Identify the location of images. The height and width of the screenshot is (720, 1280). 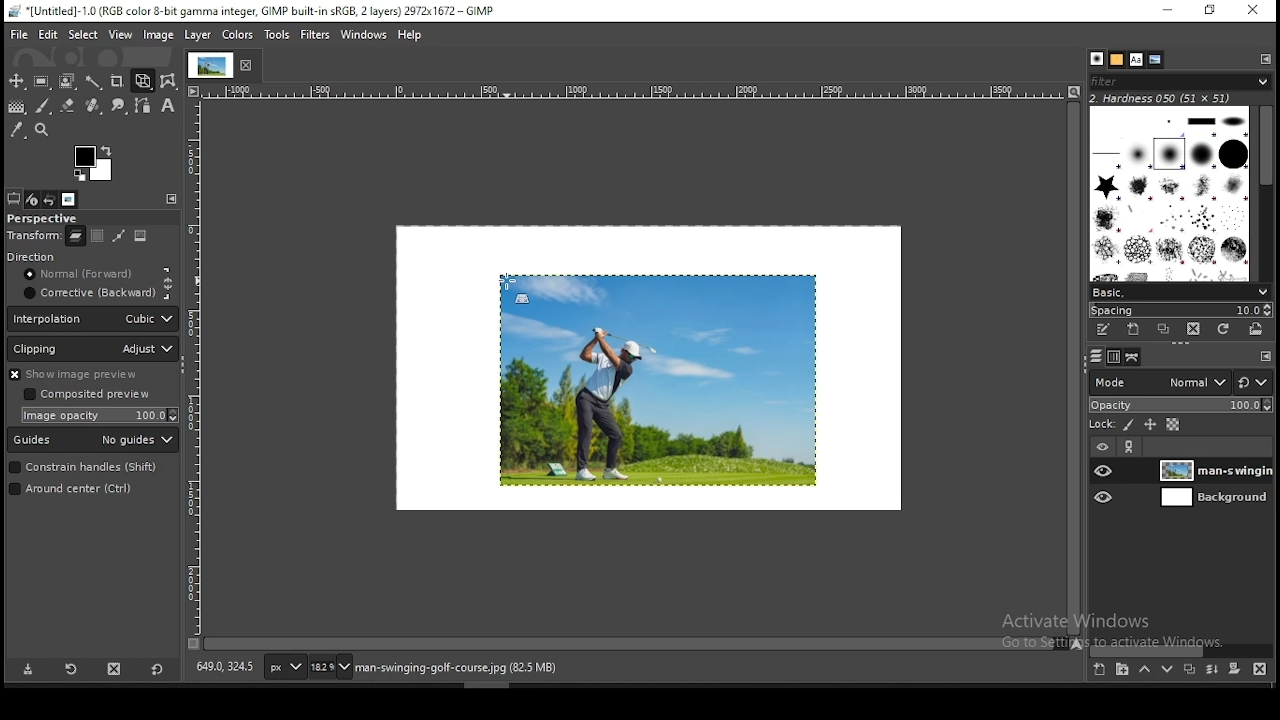
(69, 199).